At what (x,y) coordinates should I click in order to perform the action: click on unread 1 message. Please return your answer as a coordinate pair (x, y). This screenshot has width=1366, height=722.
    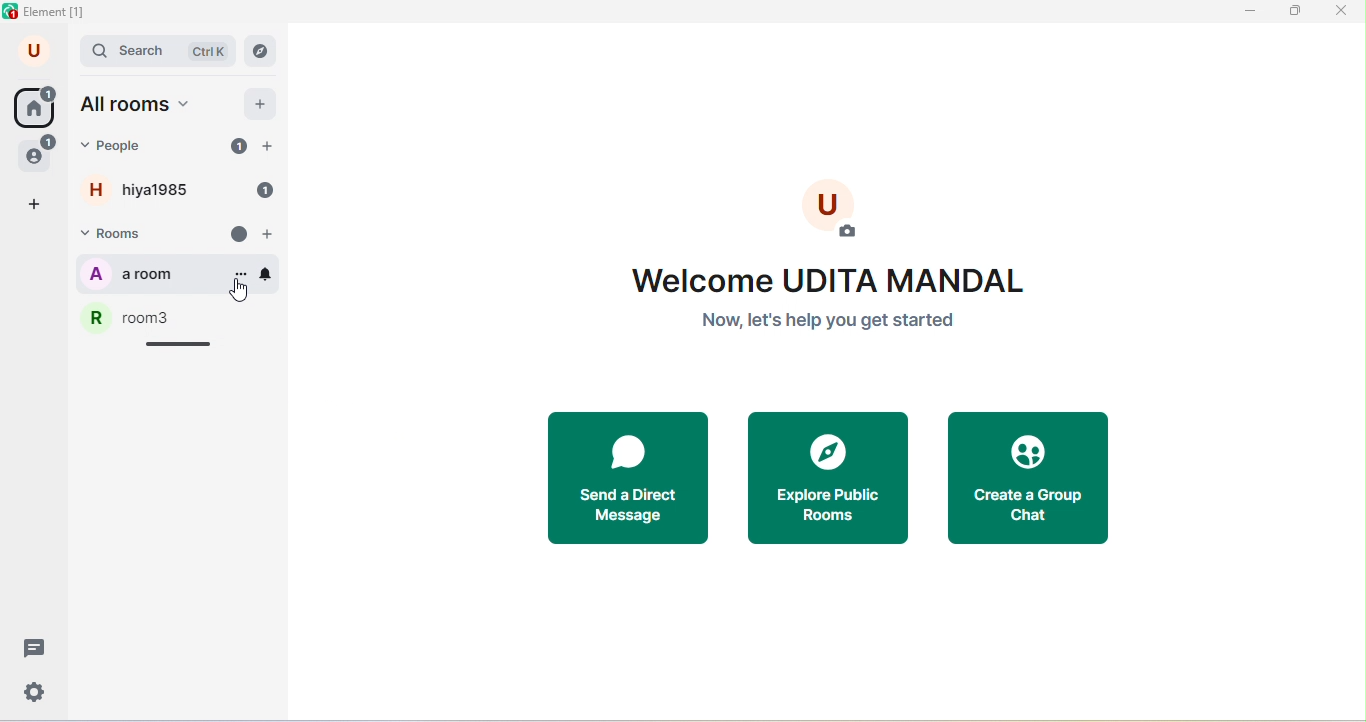
    Looking at the image, I should click on (239, 145).